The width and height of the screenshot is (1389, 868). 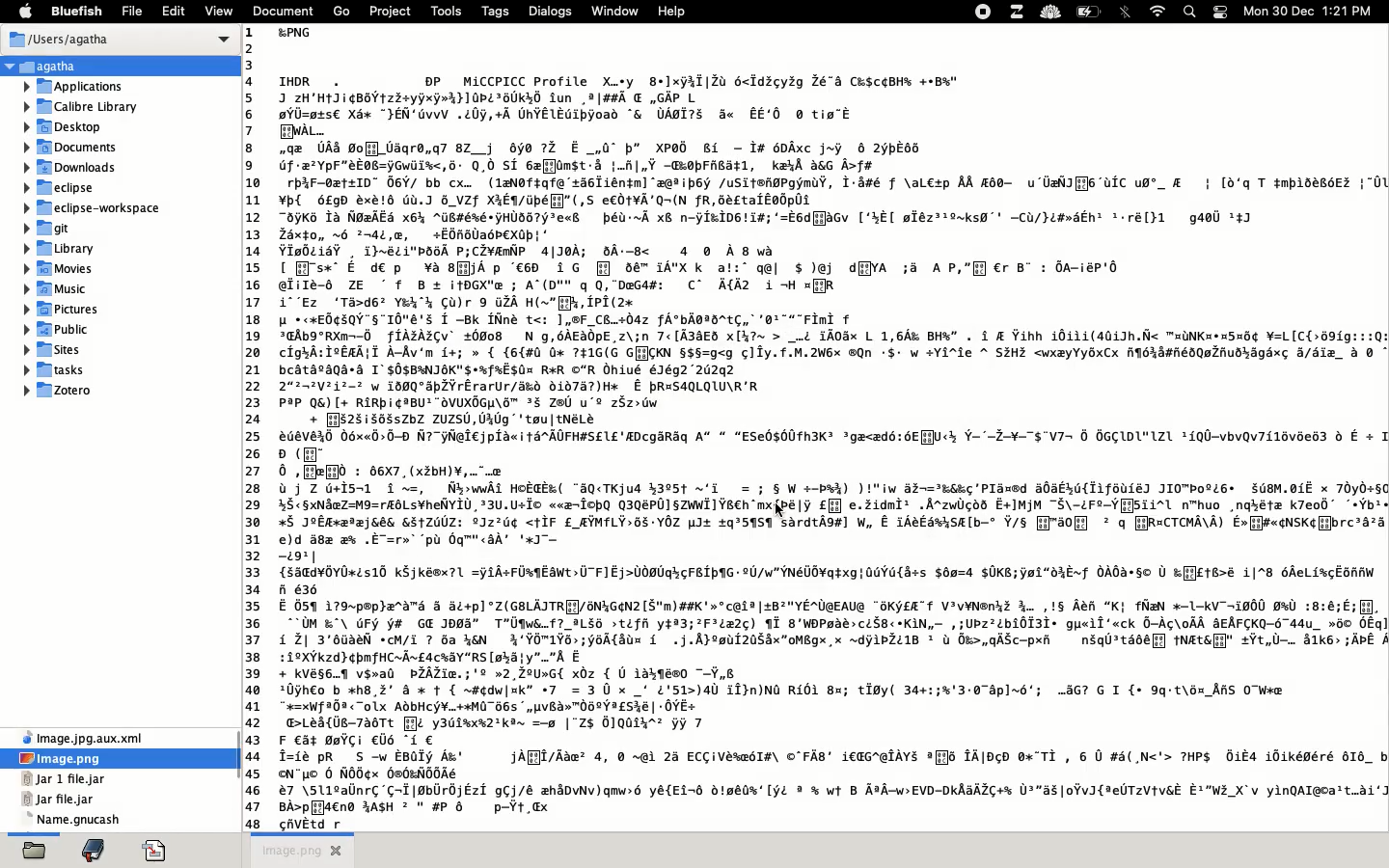 What do you see at coordinates (58, 329) in the screenshot?
I see `public` at bounding box center [58, 329].